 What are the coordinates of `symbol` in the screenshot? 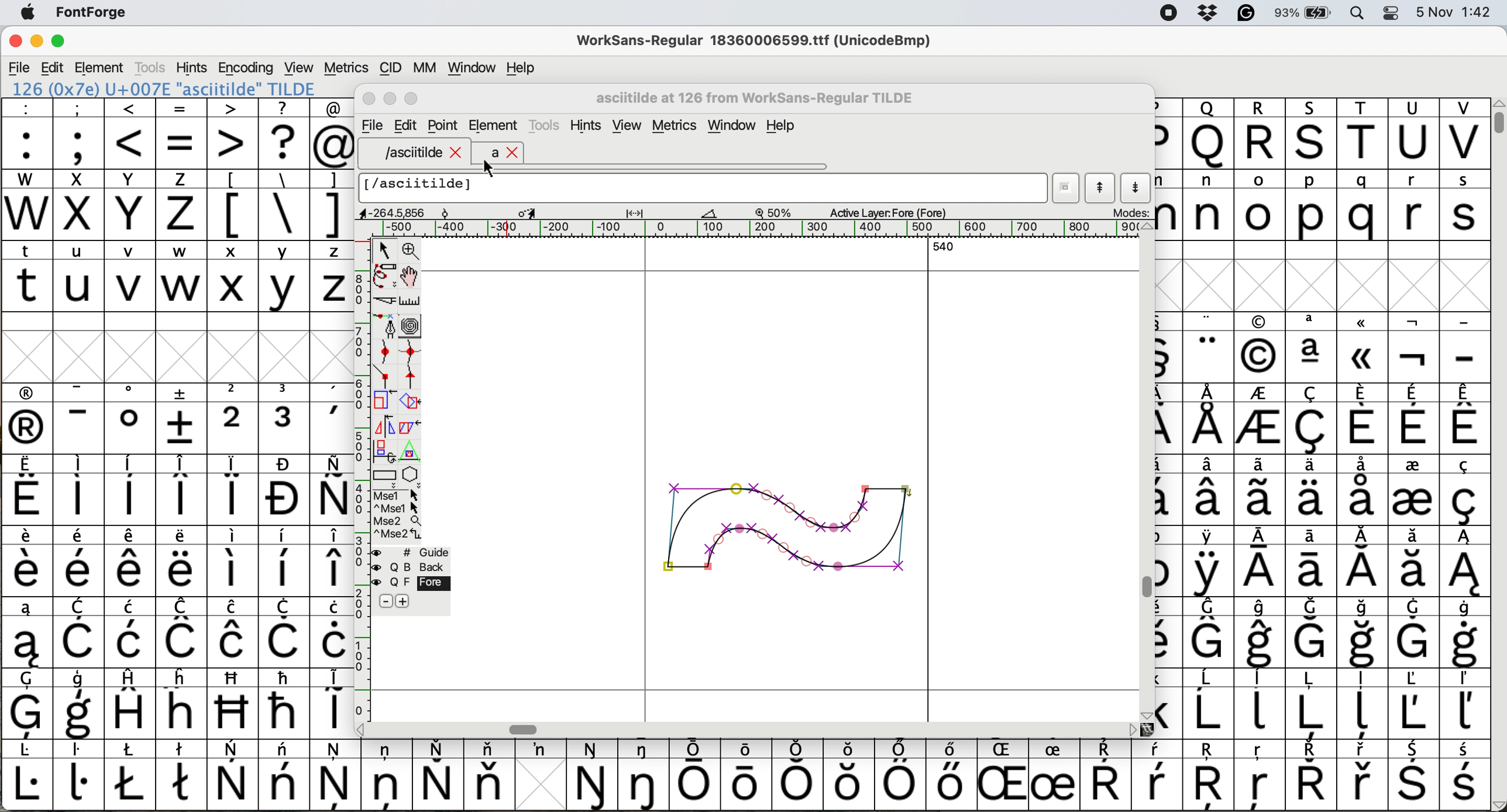 It's located at (1412, 703).